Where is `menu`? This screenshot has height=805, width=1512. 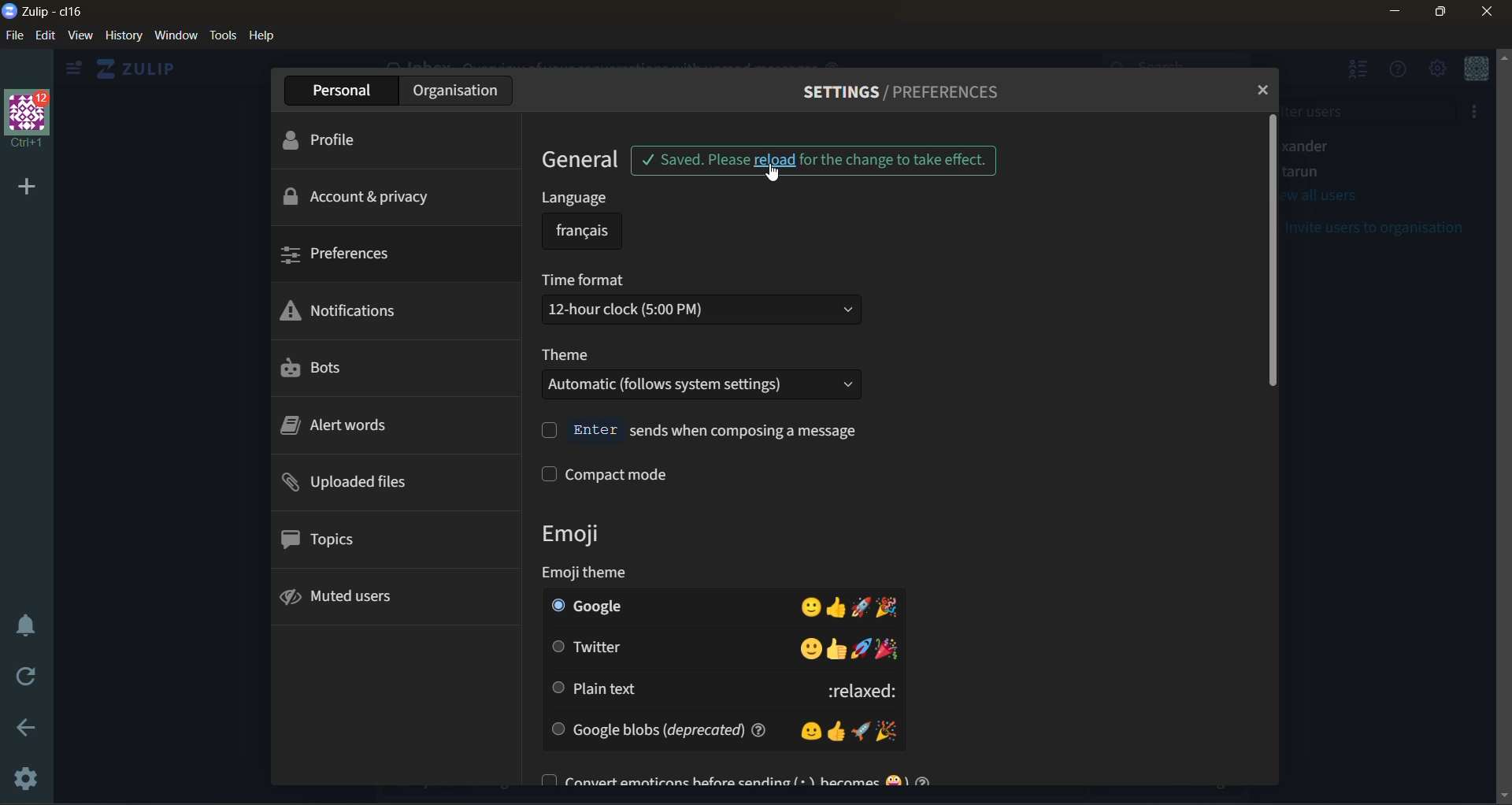
menu is located at coordinates (1477, 72).